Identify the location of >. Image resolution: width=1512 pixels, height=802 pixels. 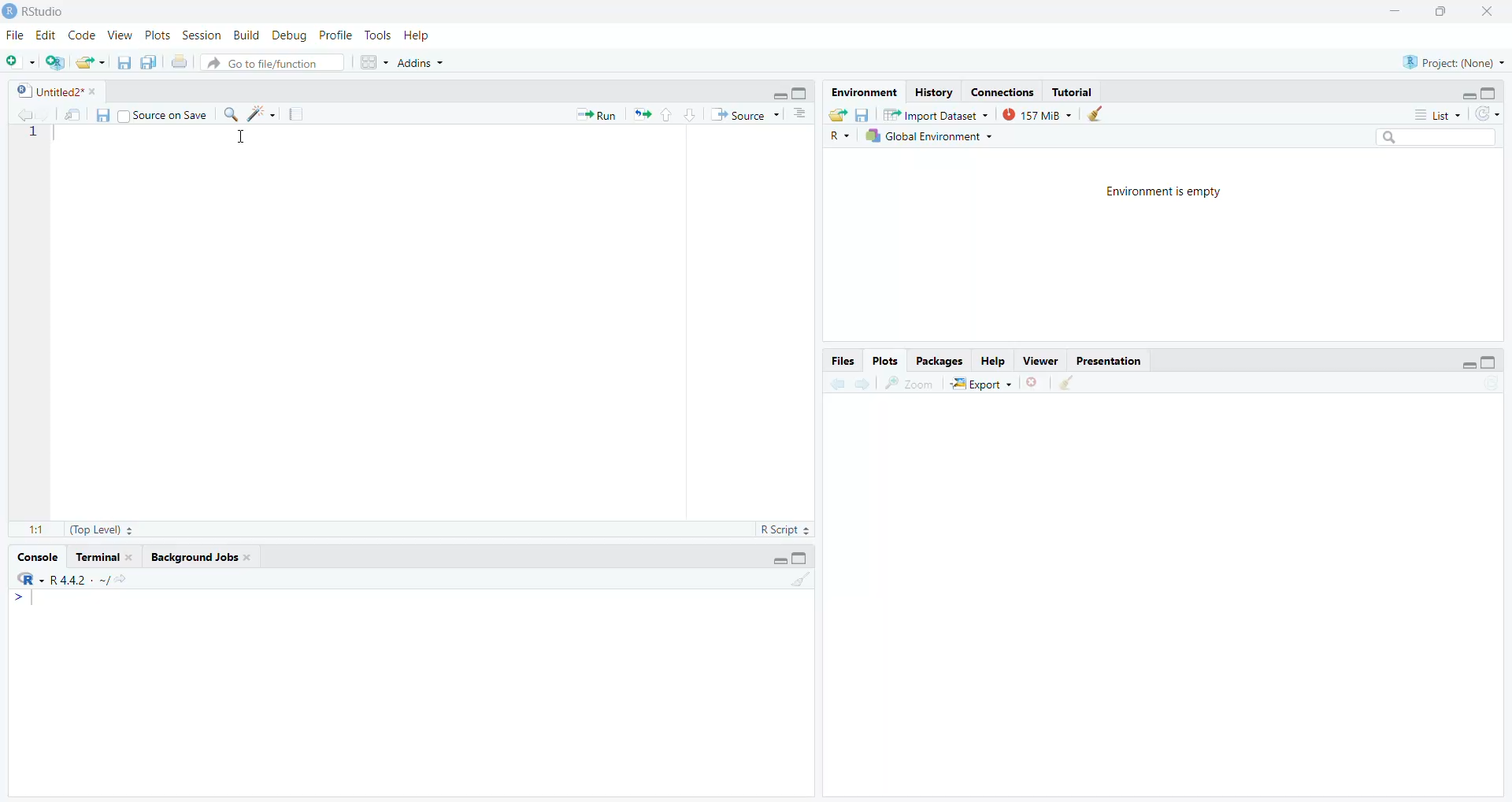
(18, 598).